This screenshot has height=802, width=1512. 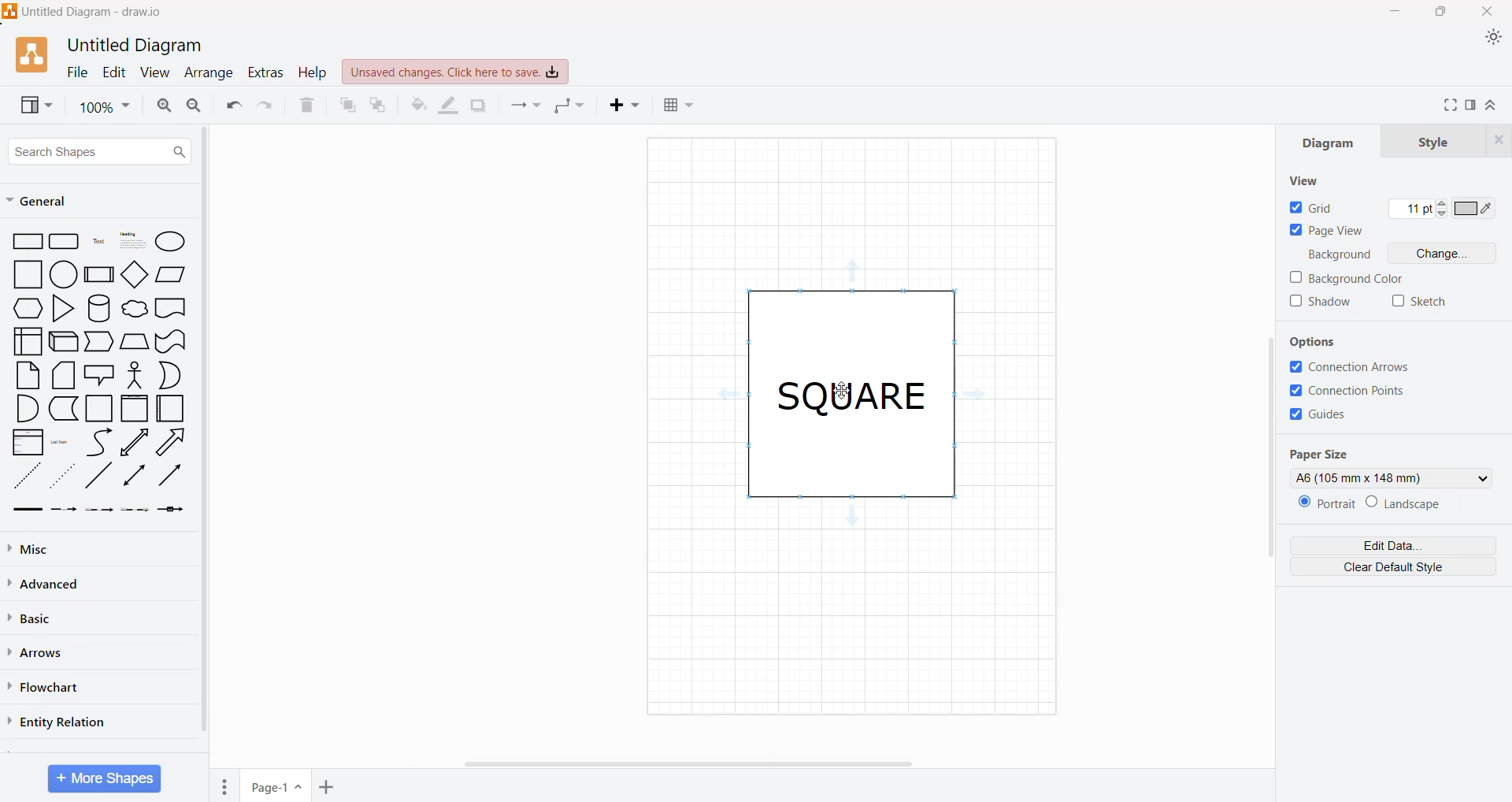 I want to click on Add Pages, so click(x=328, y=788).